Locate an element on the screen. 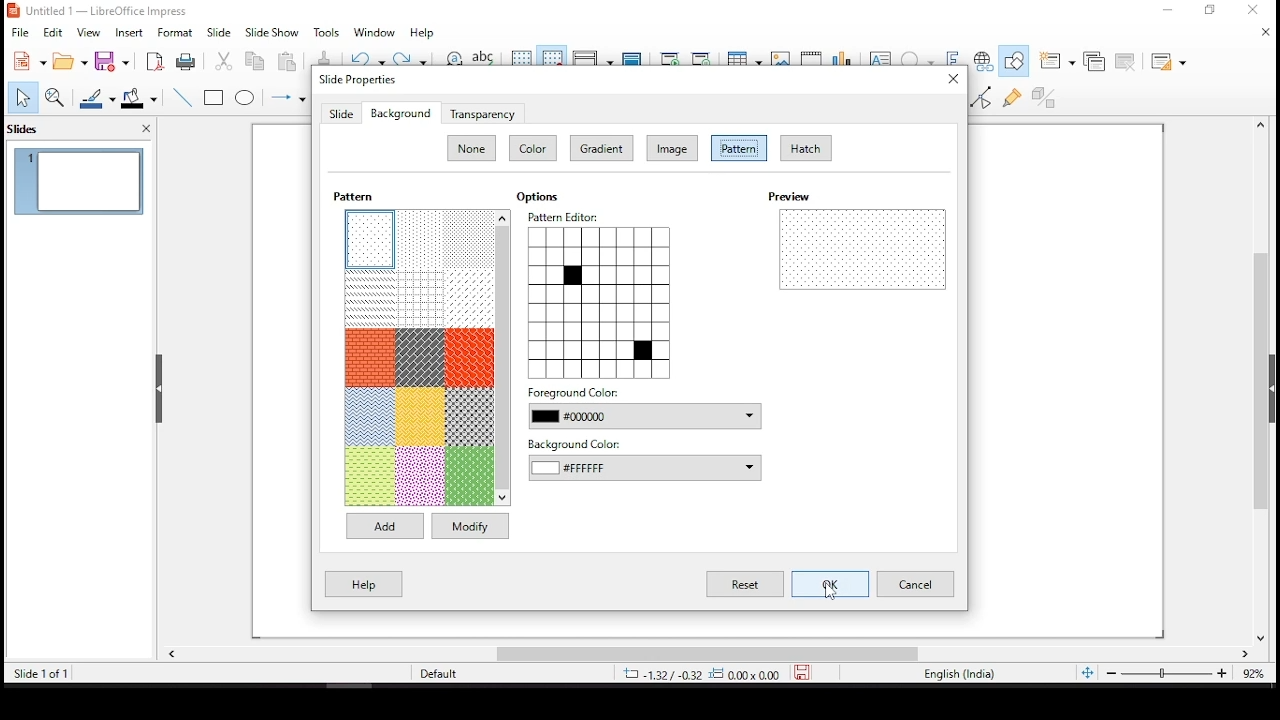 This screenshot has width=1280, height=720. view is located at coordinates (90, 33).